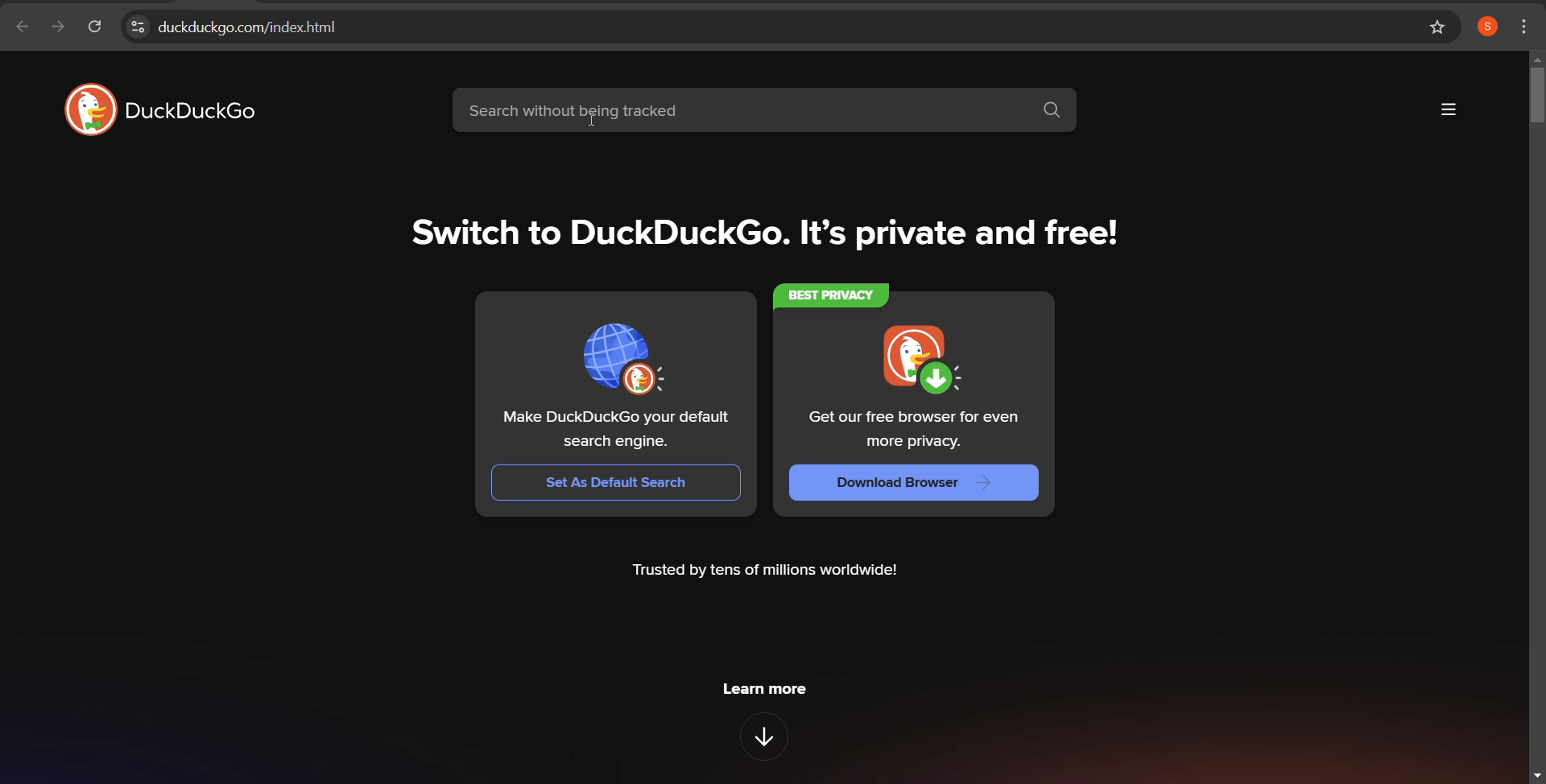 The width and height of the screenshot is (1546, 784). I want to click on download browser, so click(920, 482).